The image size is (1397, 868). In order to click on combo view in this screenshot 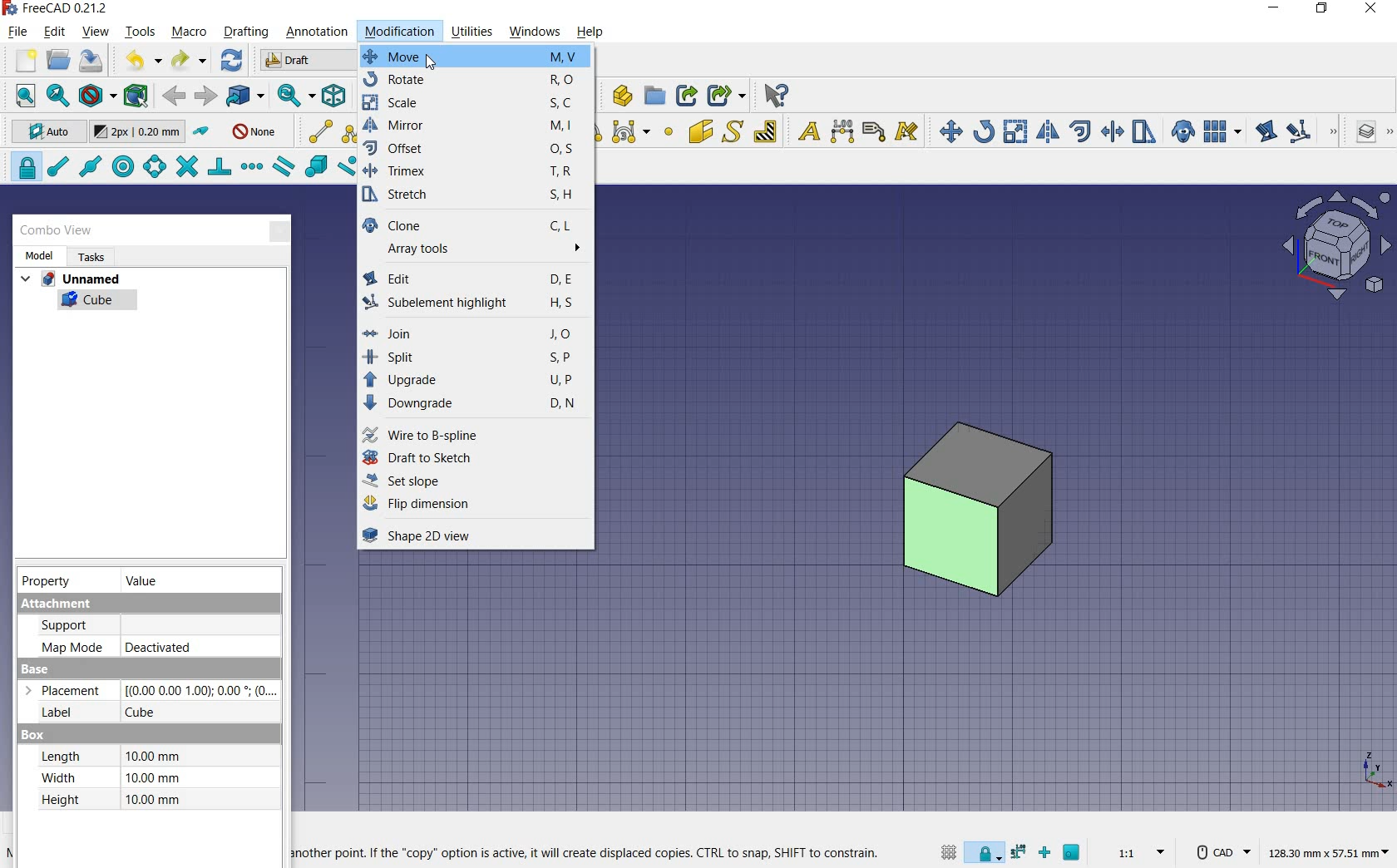, I will do `click(57, 232)`.